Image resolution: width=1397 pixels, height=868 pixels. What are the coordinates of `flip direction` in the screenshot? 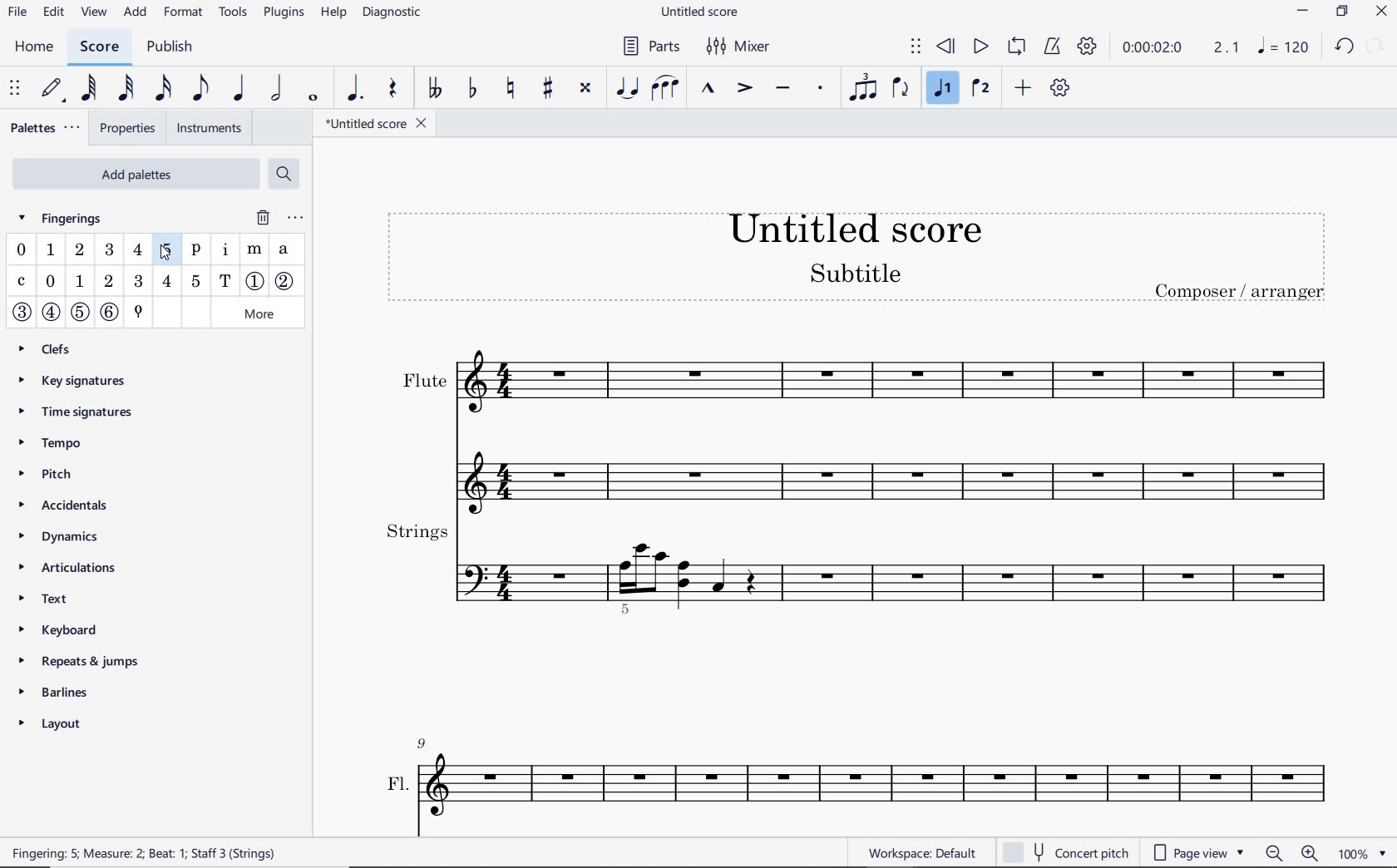 It's located at (902, 89).